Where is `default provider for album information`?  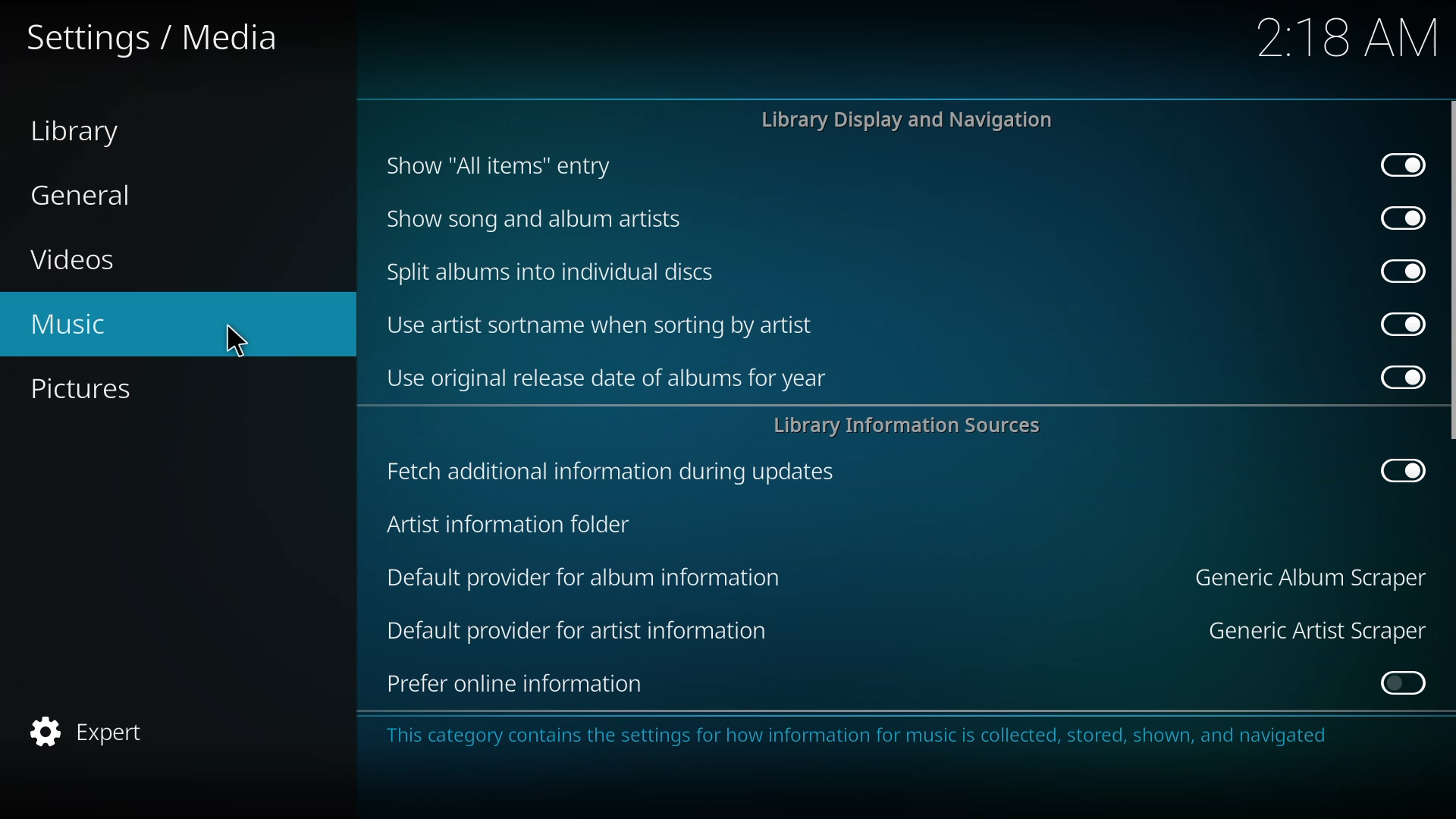
default provider for album information is located at coordinates (582, 576).